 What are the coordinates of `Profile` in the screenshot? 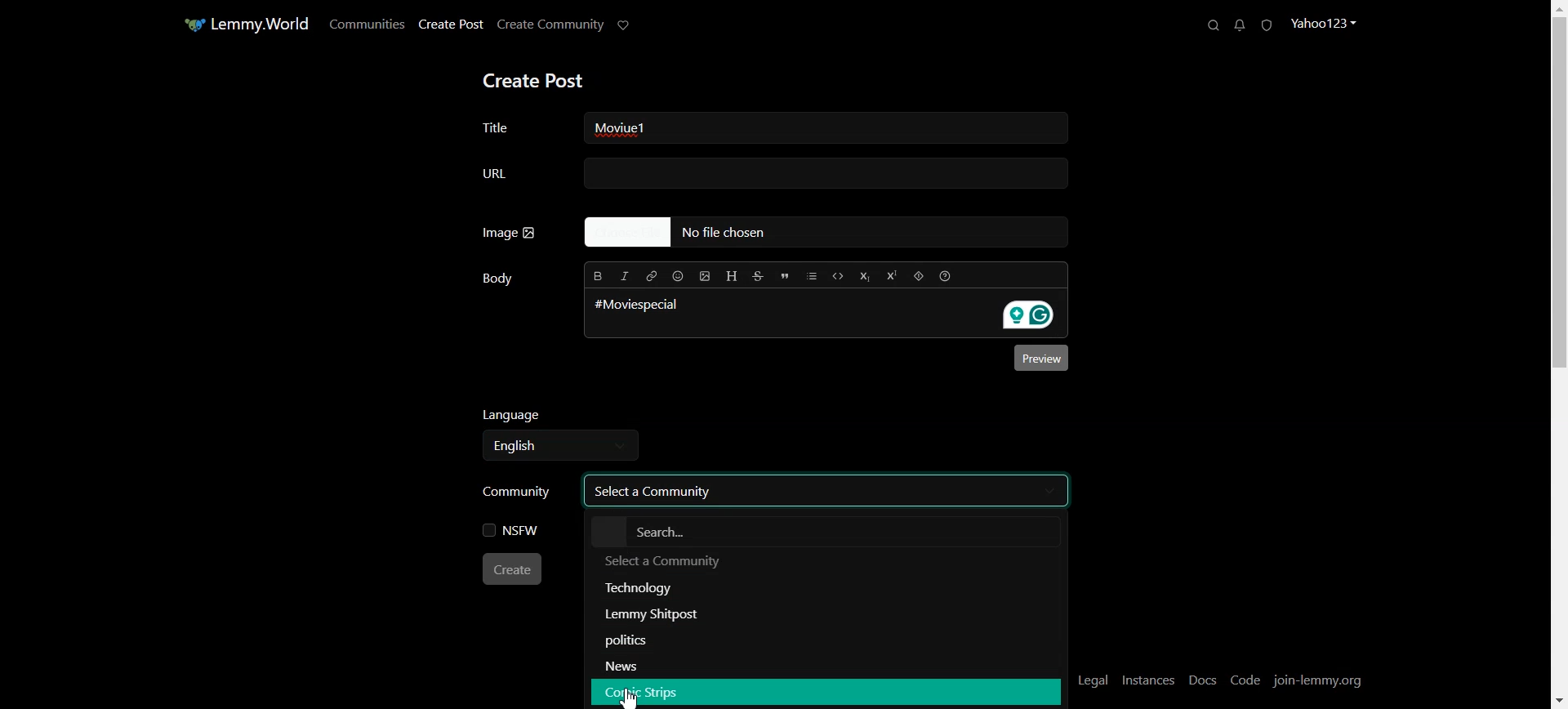 It's located at (1324, 24).